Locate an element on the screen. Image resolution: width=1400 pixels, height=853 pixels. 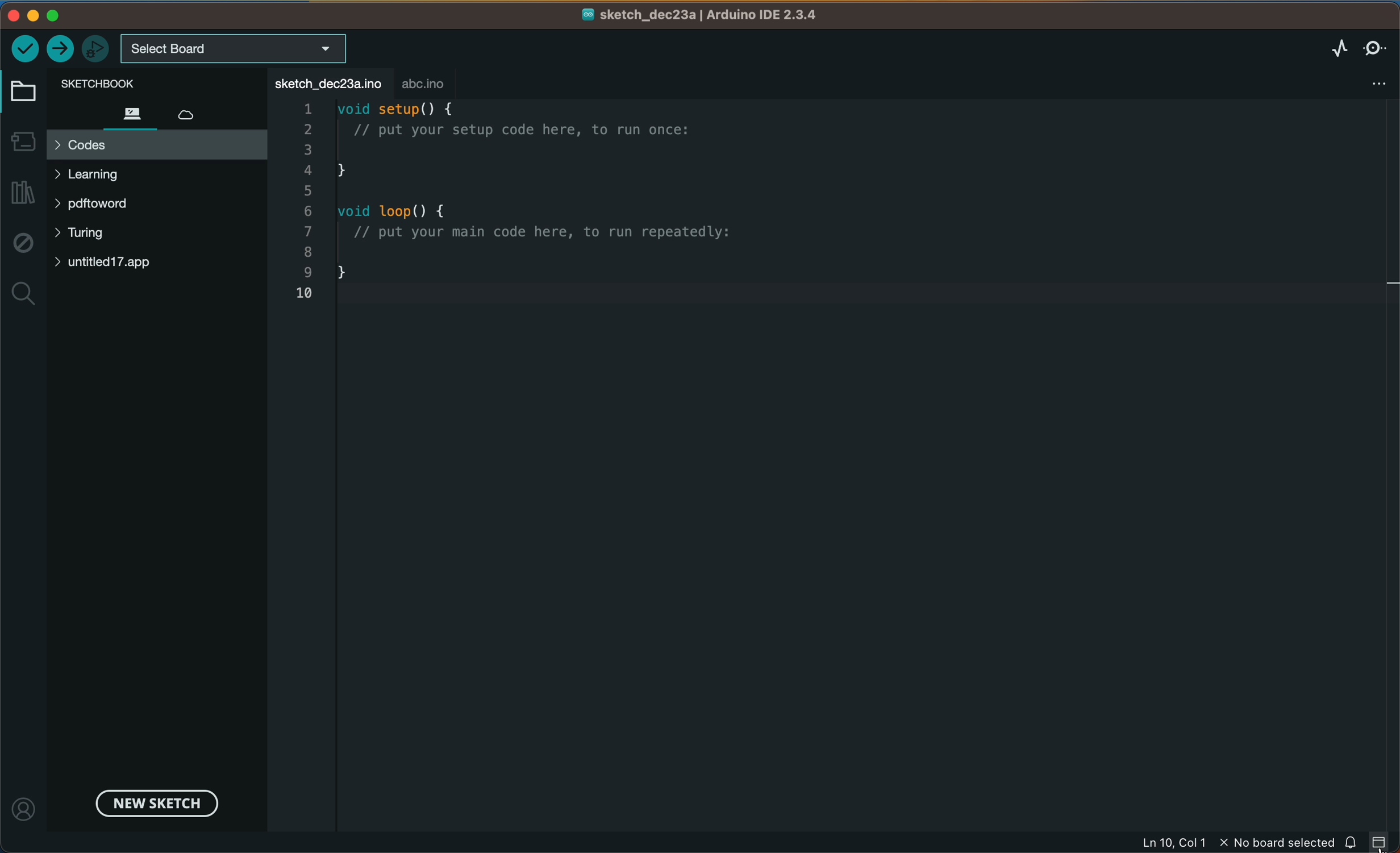
upload is located at coordinates (58, 48).